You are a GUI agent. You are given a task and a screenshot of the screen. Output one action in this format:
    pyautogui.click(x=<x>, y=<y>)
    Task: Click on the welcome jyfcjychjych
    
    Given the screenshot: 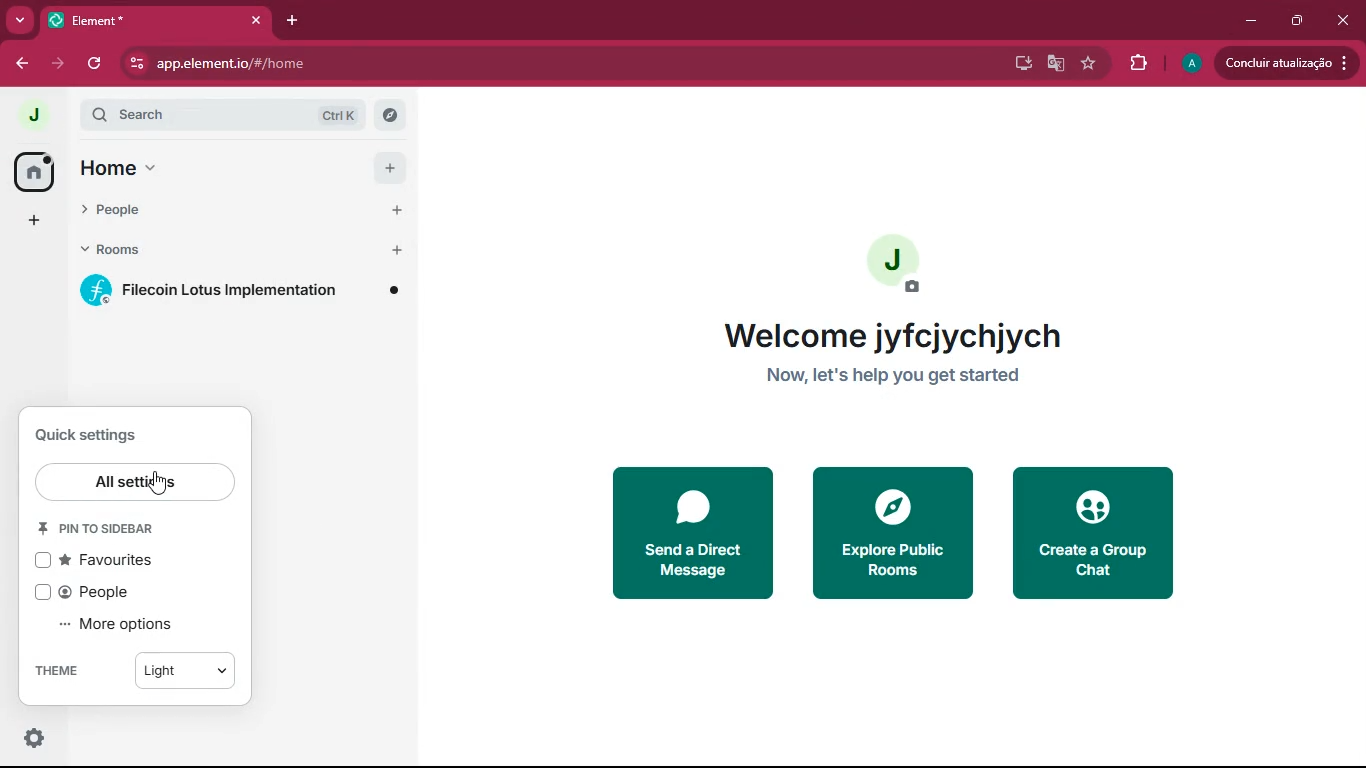 What is the action you would take?
    pyautogui.click(x=894, y=337)
    